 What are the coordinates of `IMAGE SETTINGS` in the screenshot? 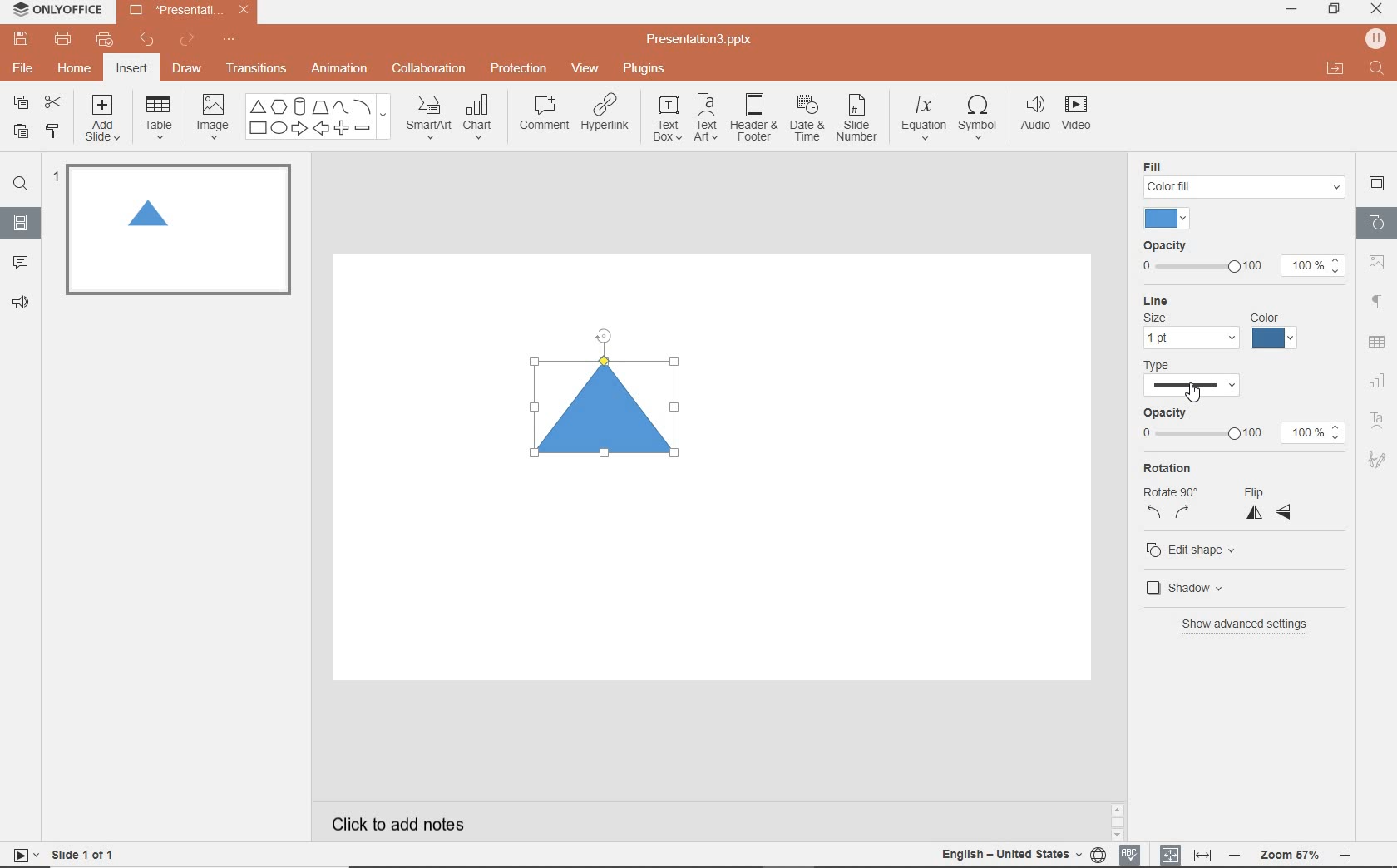 It's located at (1377, 262).